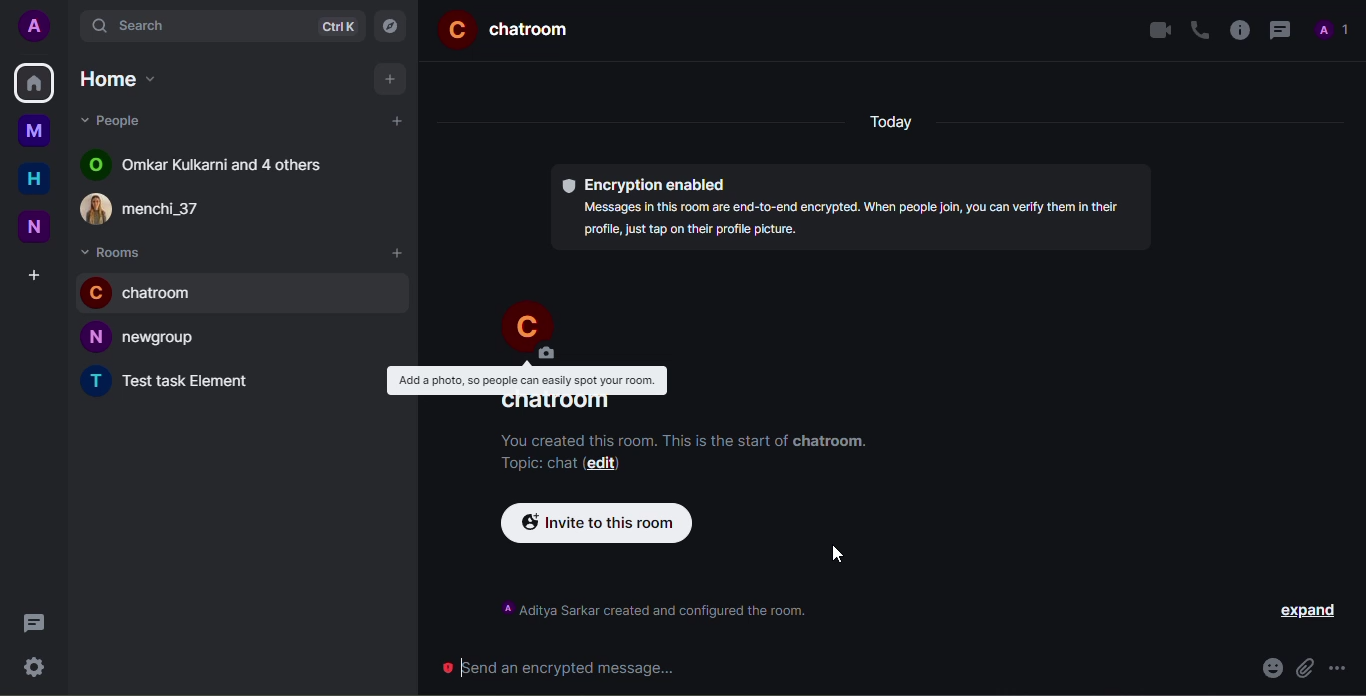 This screenshot has width=1366, height=696. What do you see at coordinates (152, 208) in the screenshot?
I see `(£) menchi_37` at bounding box center [152, 208].